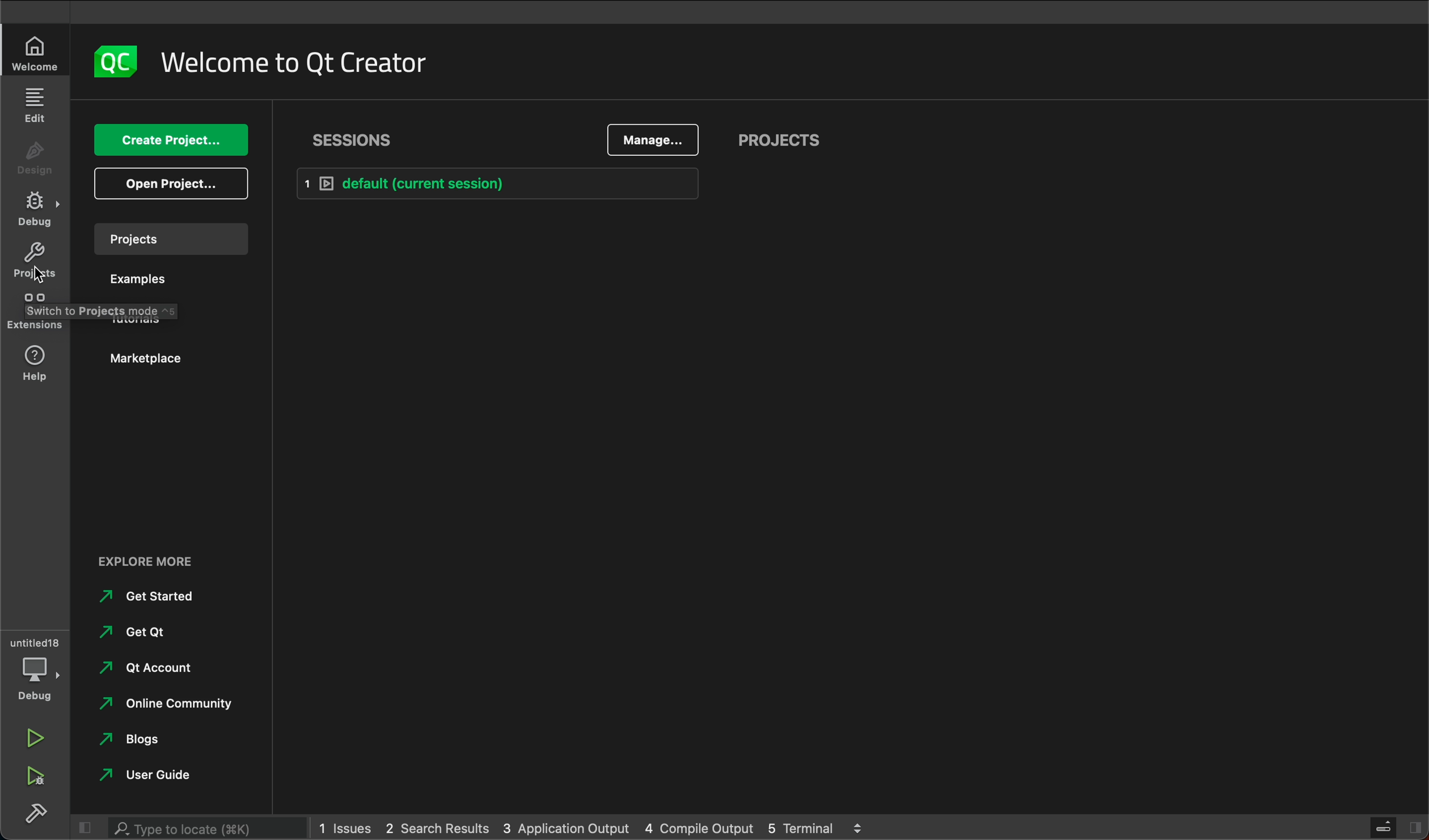  I want to click on user glide, so click(141, 776).